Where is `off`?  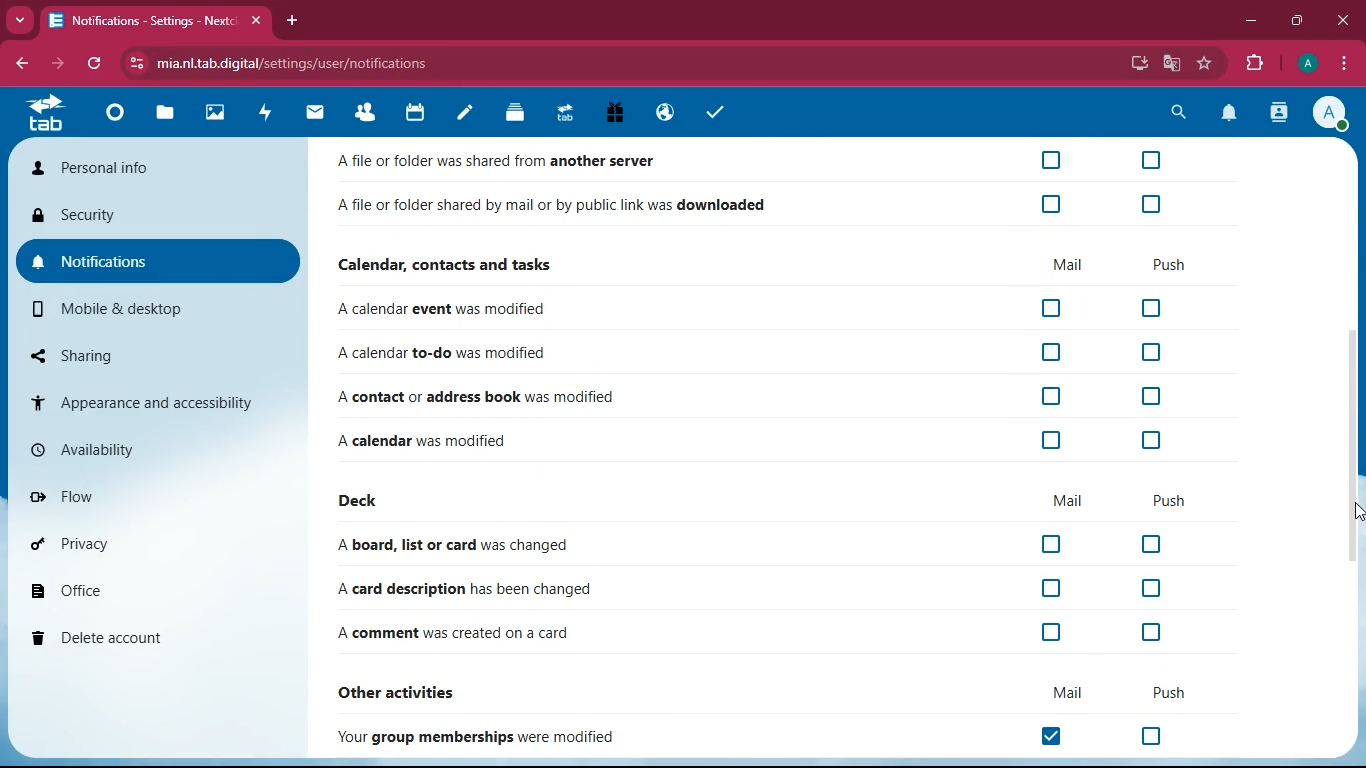 off is located at coordinates (1049, 440).